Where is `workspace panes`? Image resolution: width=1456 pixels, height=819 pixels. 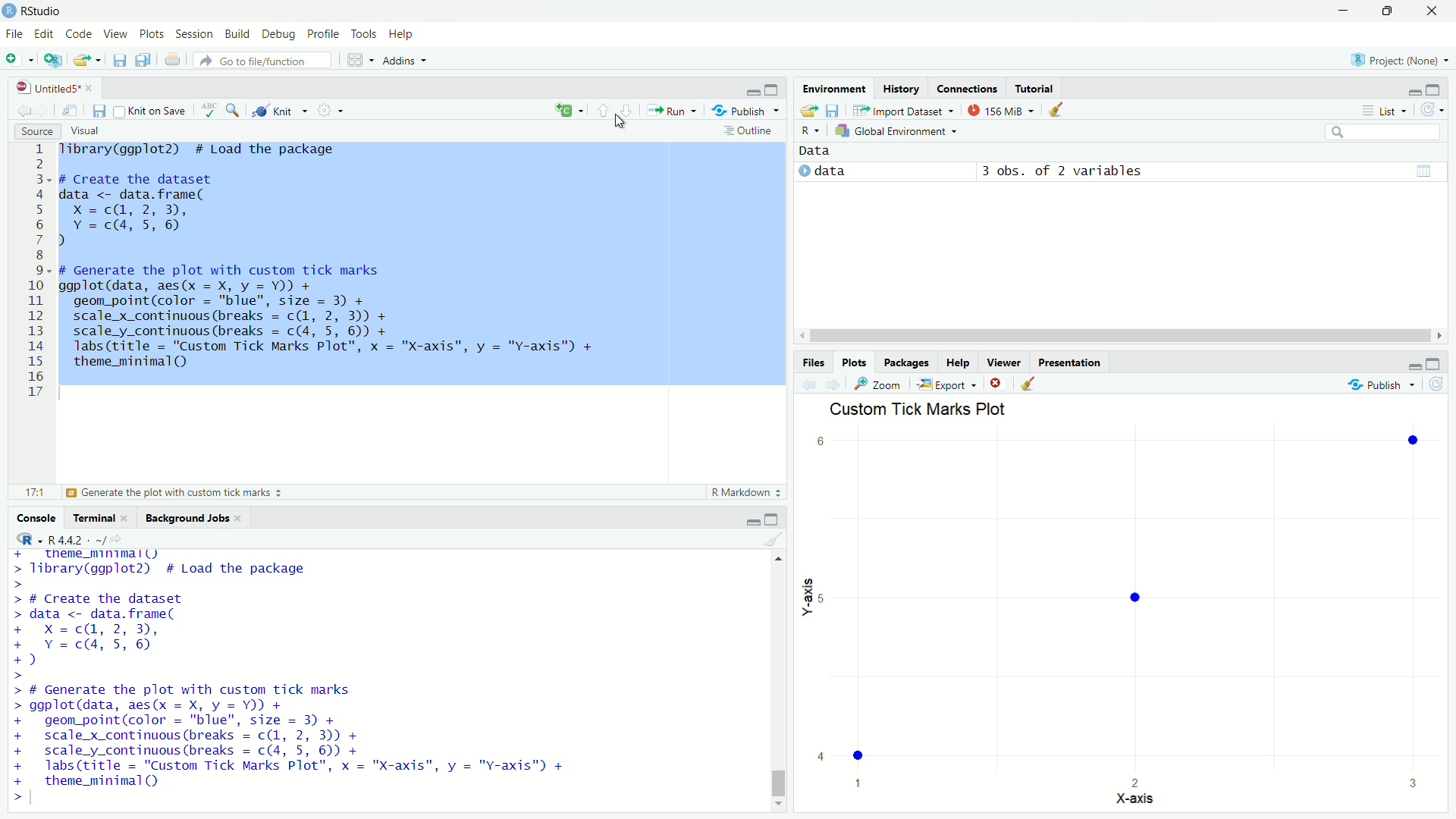 workspace panes is located at coordinates (359, 61).